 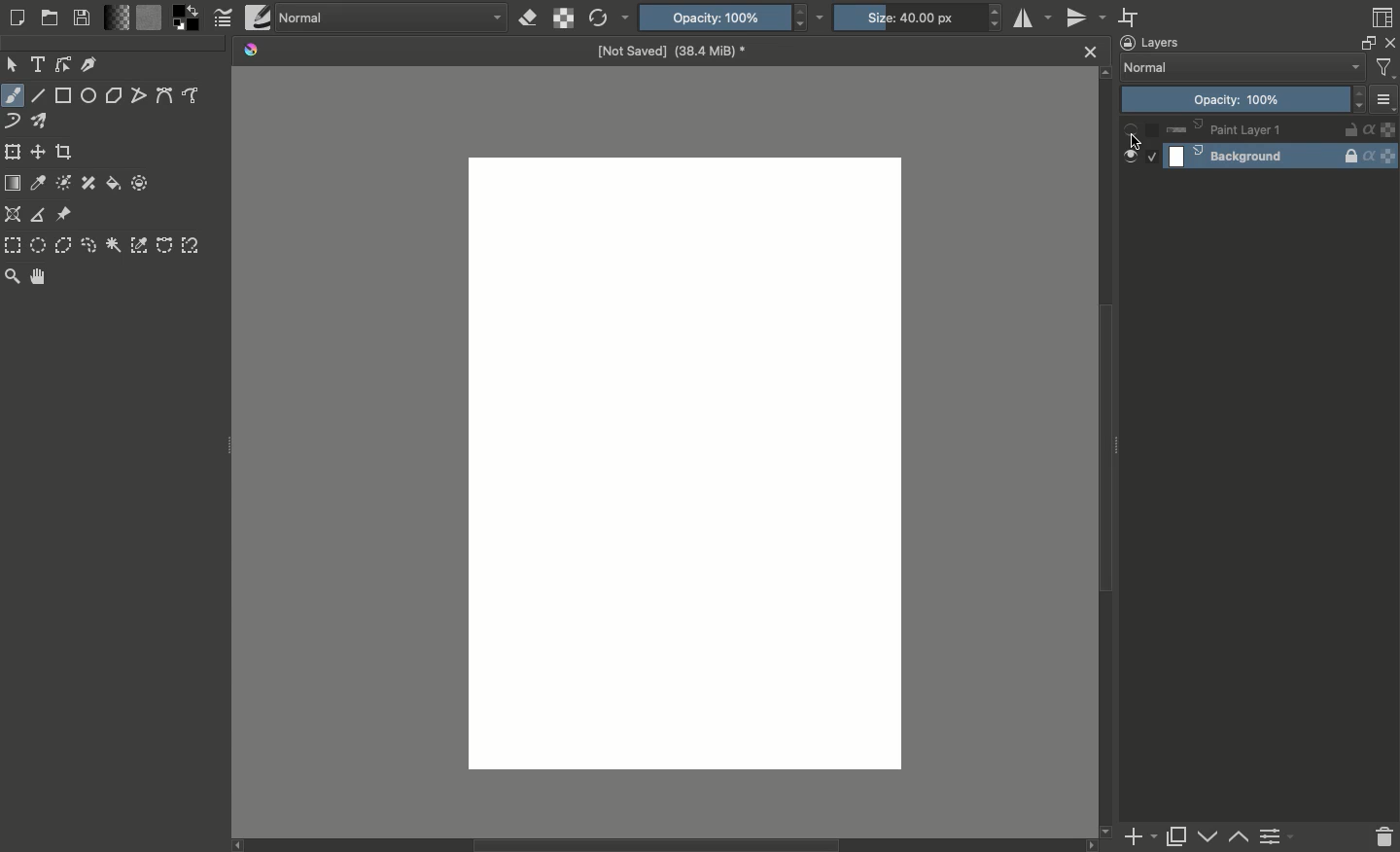 What do you see at coordinates (720, 18) in the screenshot?
I see `Opacity` at bounding box center [720, 18].